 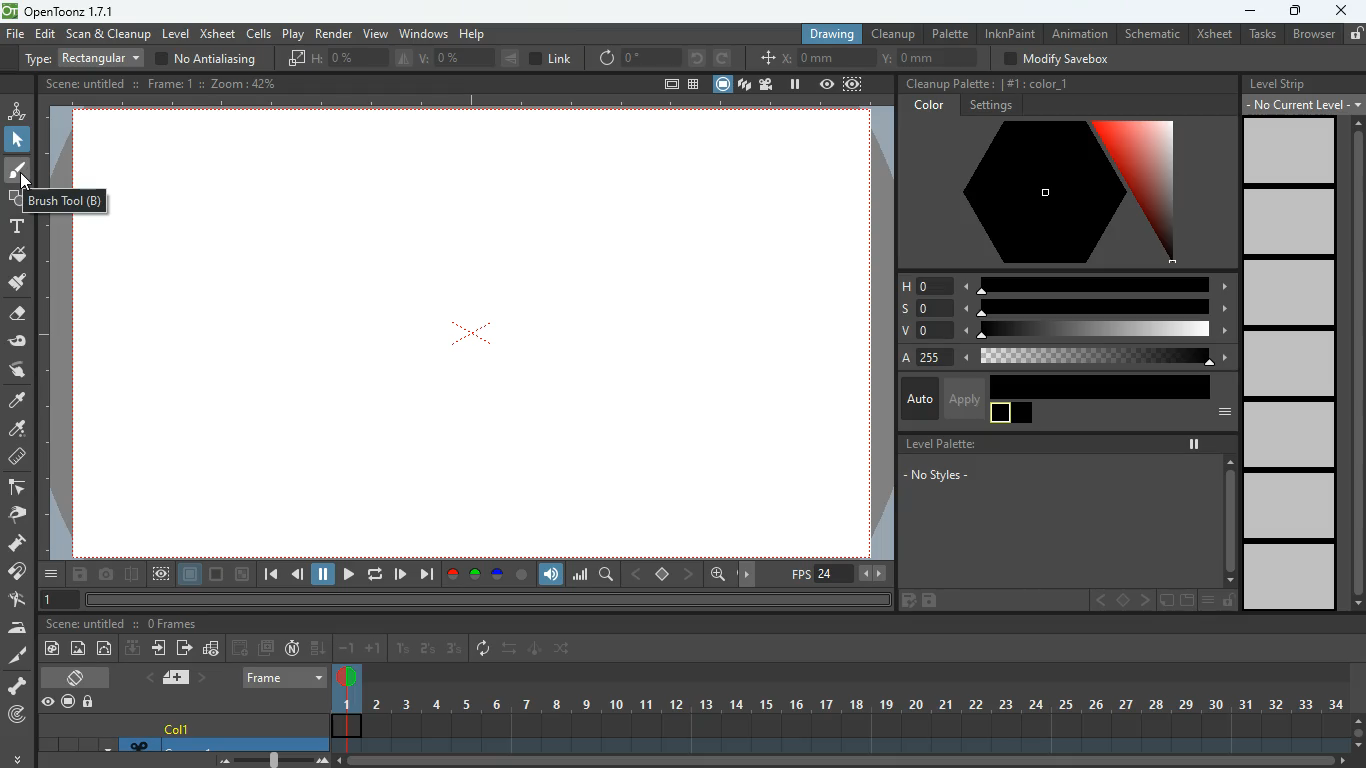 What do you see at coordinates (184, 647) in the screenshot?
I see `send` at bounding box center [184, 647].